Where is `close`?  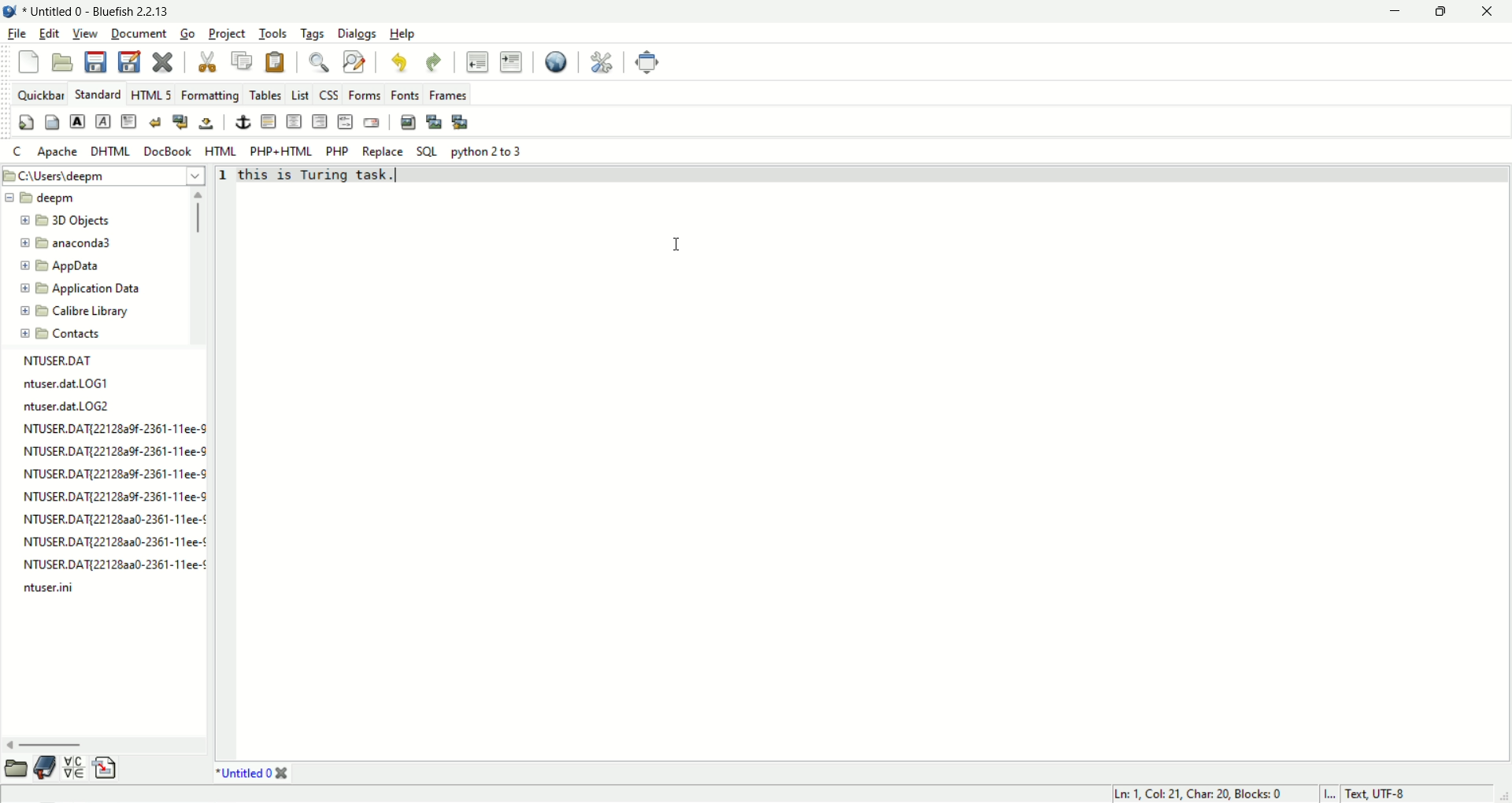
close is located at coordinates (1494, 12).